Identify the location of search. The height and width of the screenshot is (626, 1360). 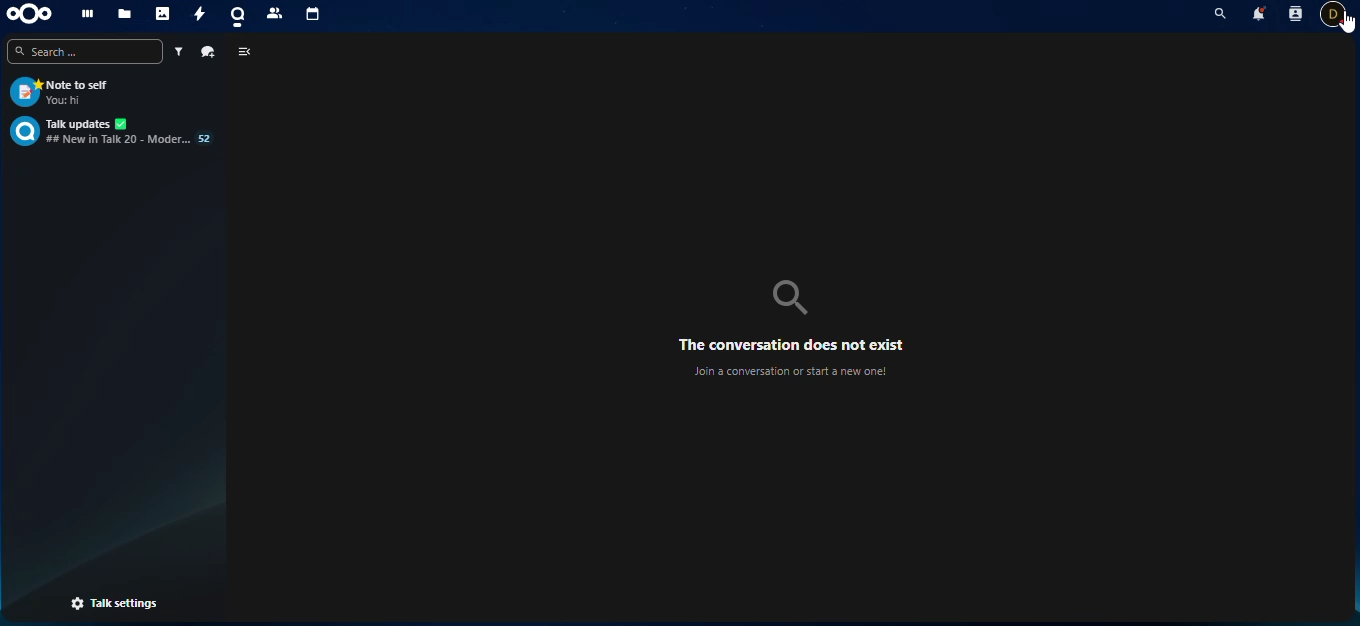
(1220, 14).